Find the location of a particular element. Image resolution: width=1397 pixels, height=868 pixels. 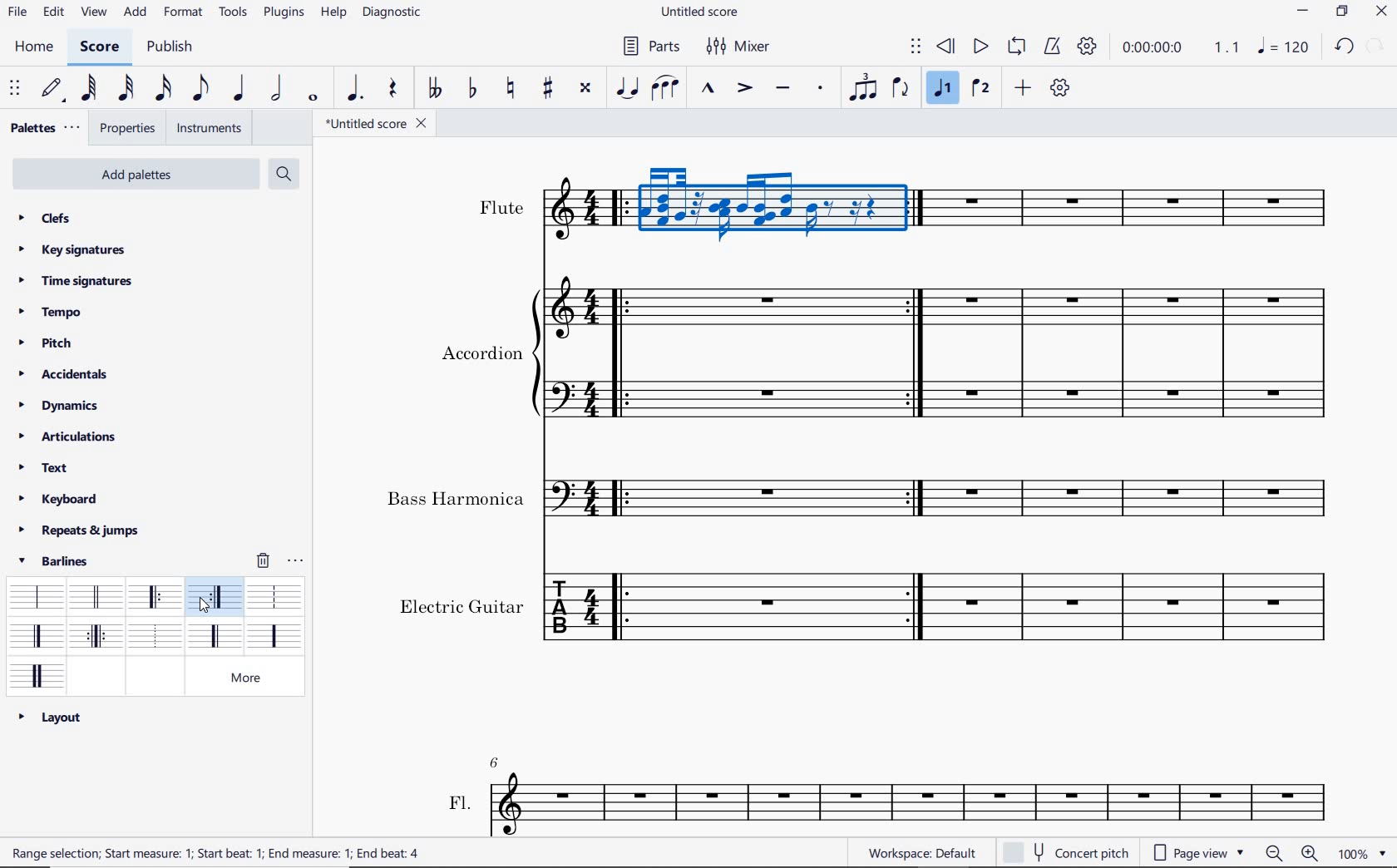

Instrument: Electric guitar is located at coordinates (1133, 353).